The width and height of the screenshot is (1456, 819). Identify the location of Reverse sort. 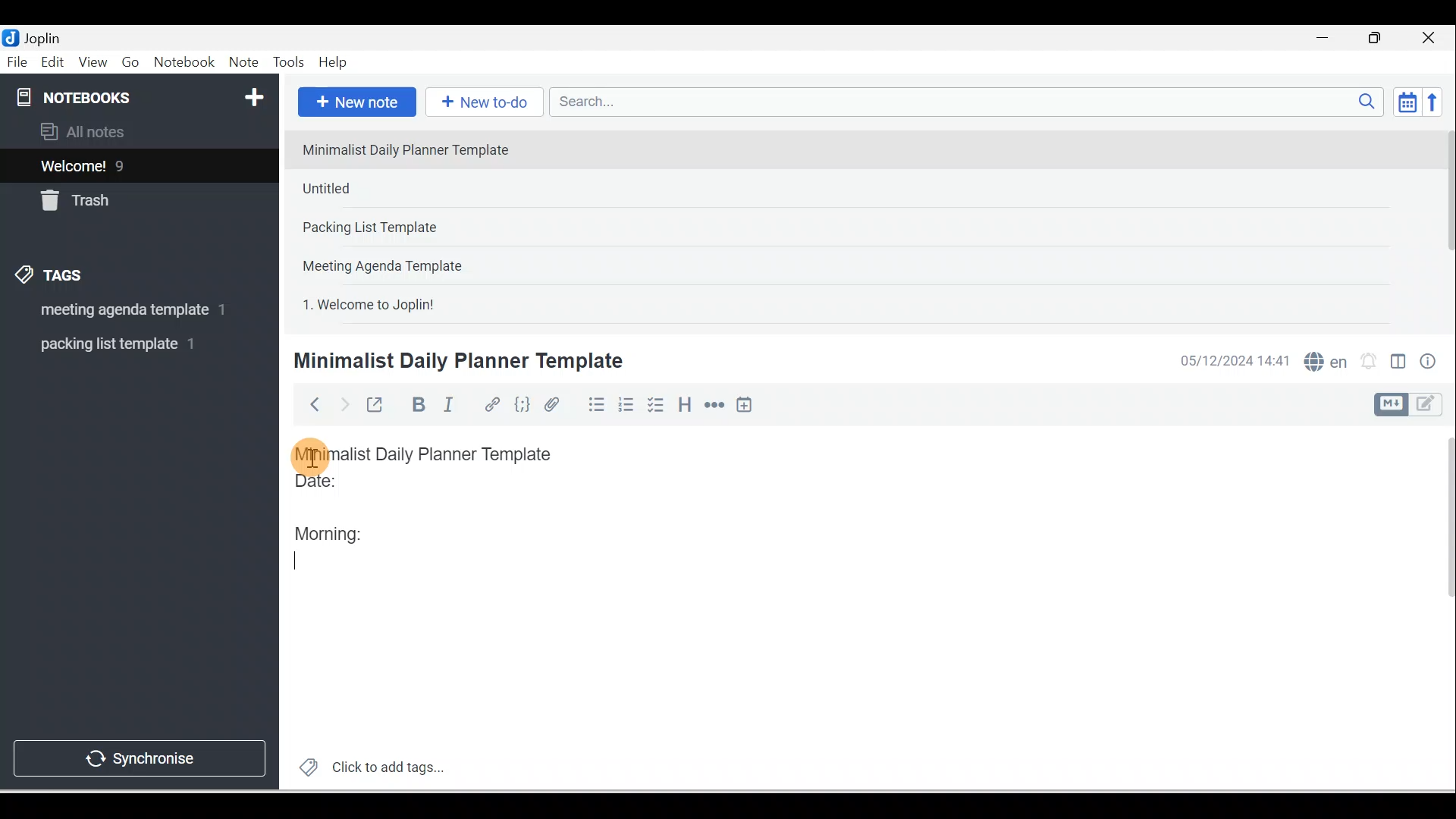
(1437, 102).